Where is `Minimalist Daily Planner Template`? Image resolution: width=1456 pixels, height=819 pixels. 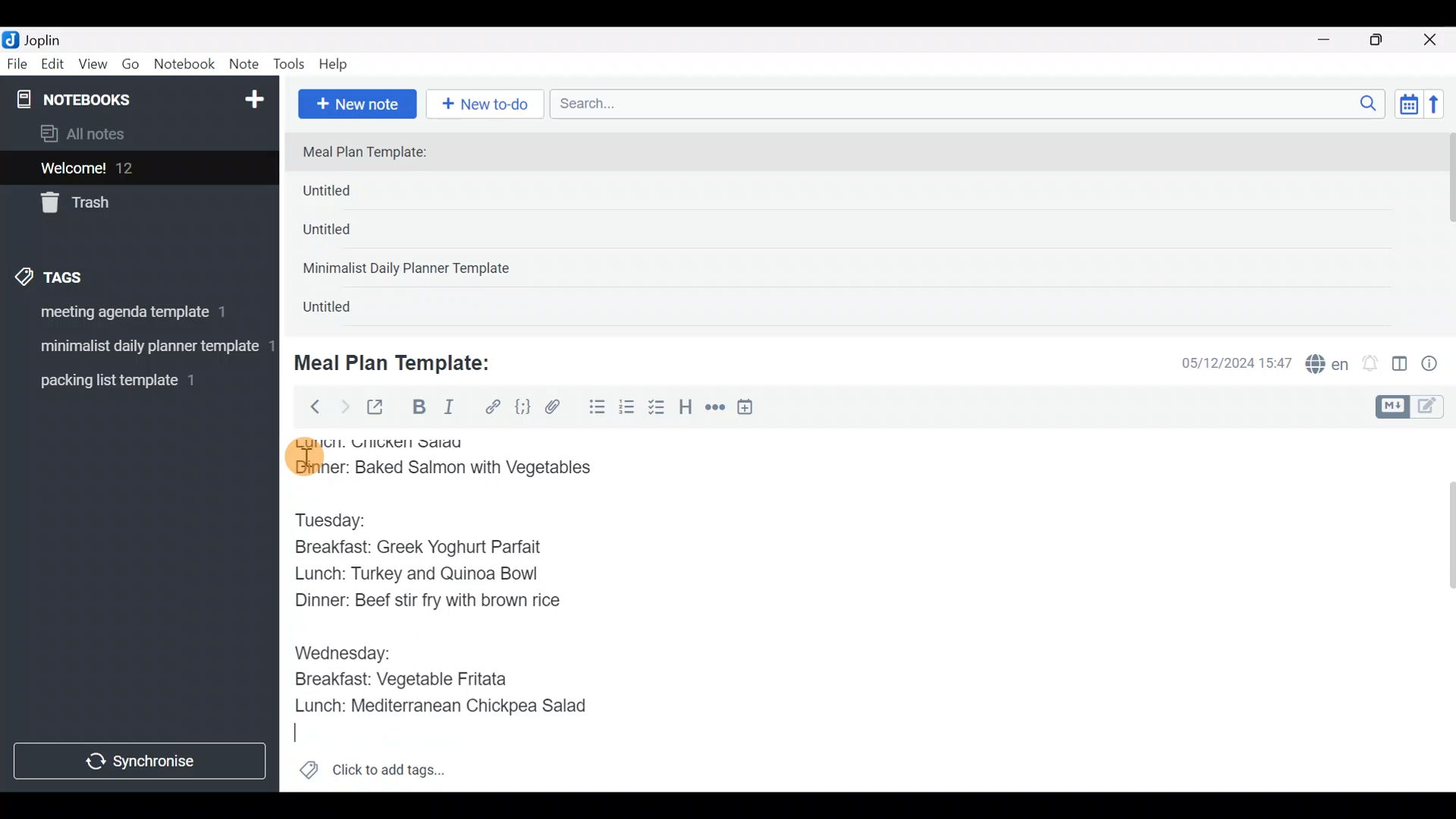 Minimalist Daily Planner Template is located at coordinates (411, 270).